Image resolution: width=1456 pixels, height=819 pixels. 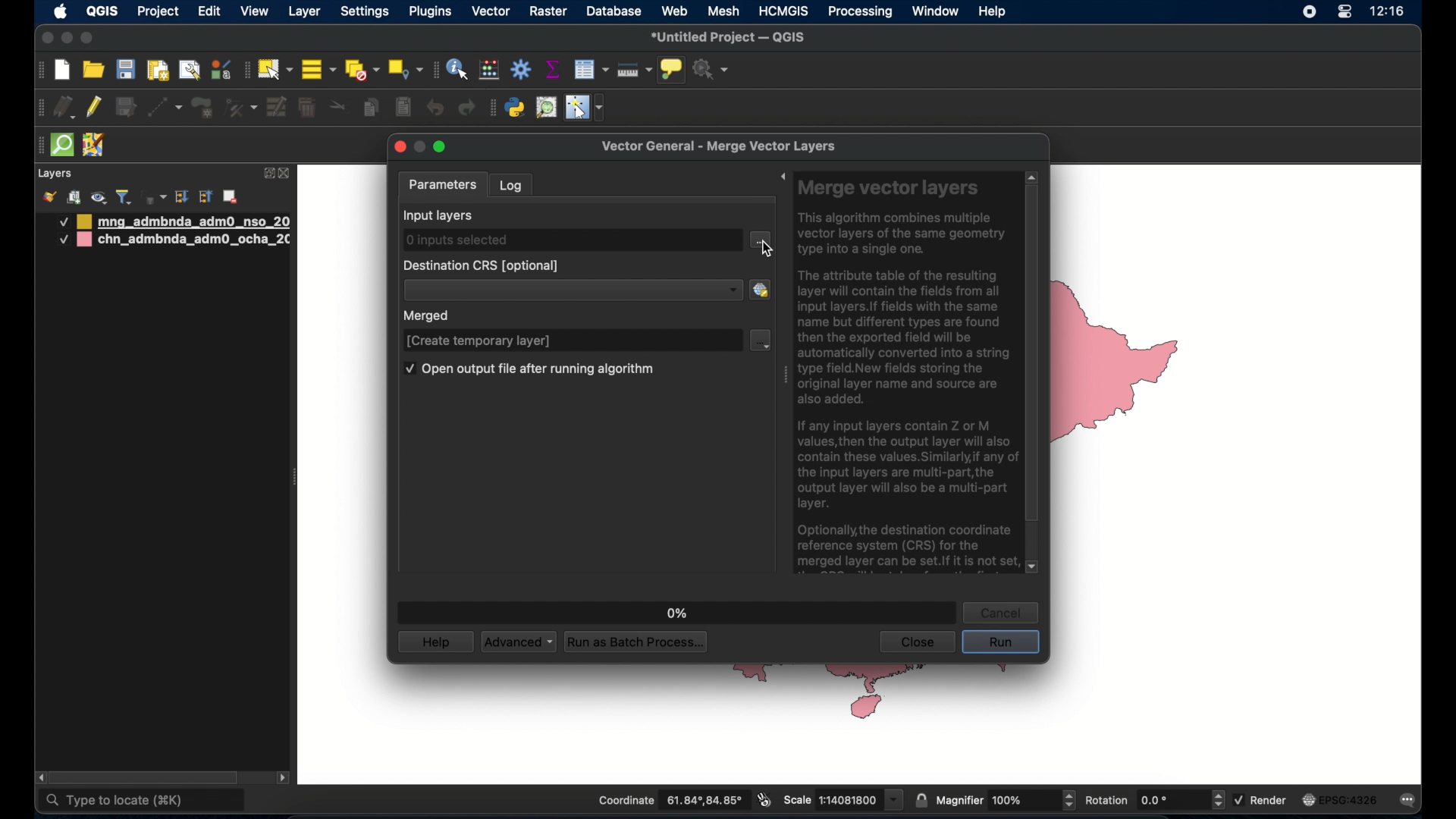 I want to click on delet selected, so click(x=306, y=108).